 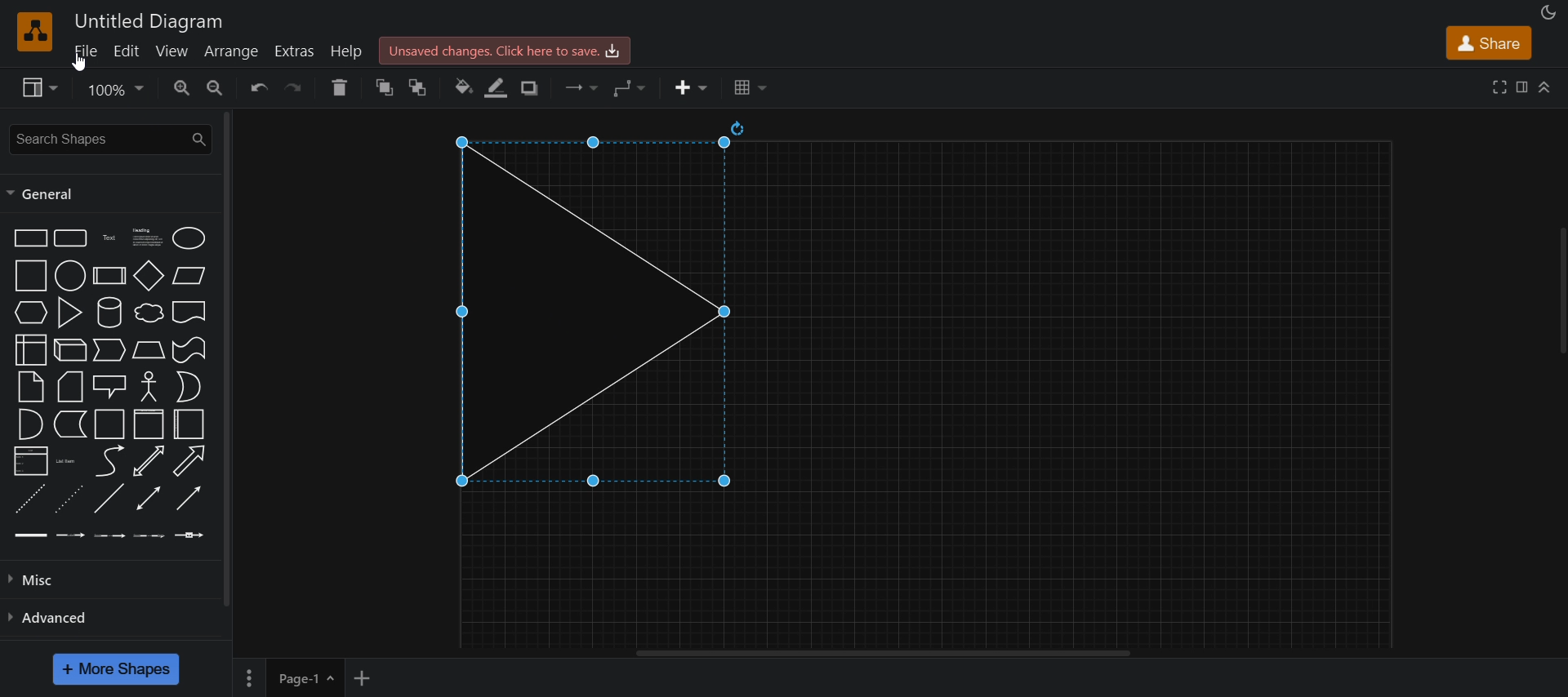 What do you see at coordinates (532, 89) in the screenshot?
I see `shadow` at bounding box center [532, 89].